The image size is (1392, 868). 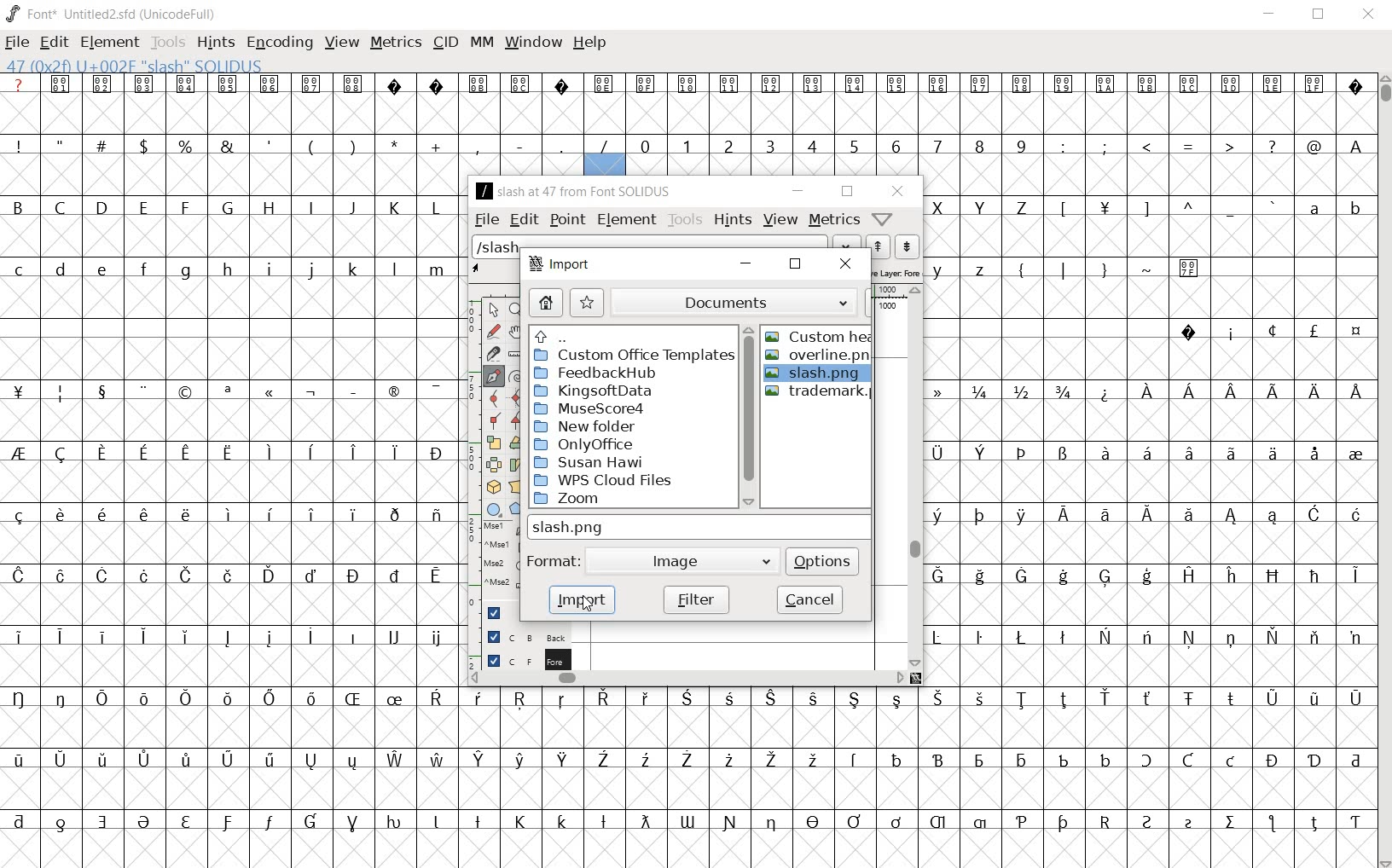 I want to click on cut splines in two, so click(x=491, y=356).